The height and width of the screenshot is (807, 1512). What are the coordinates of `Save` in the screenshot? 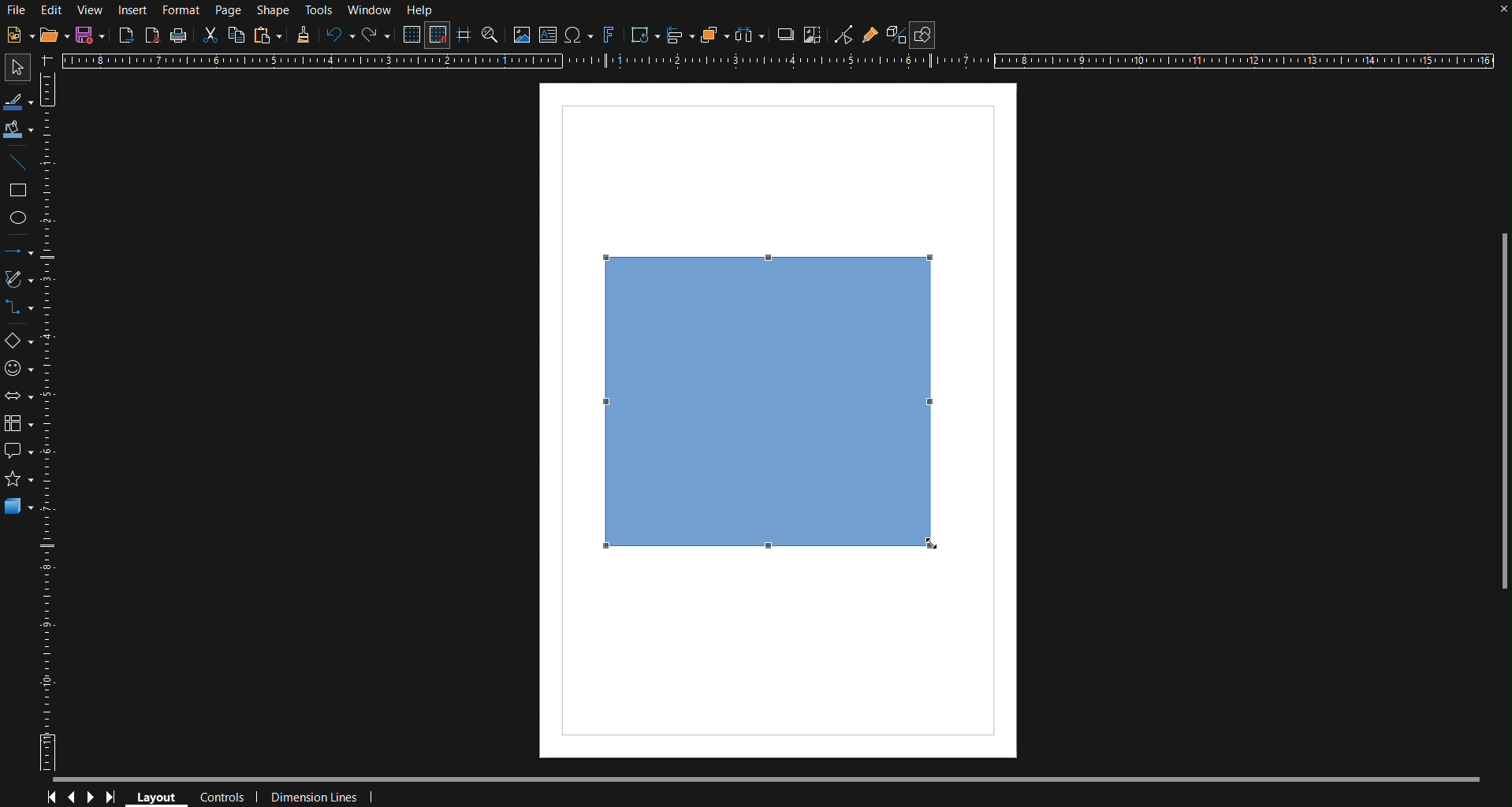 It's located at (91, 35).